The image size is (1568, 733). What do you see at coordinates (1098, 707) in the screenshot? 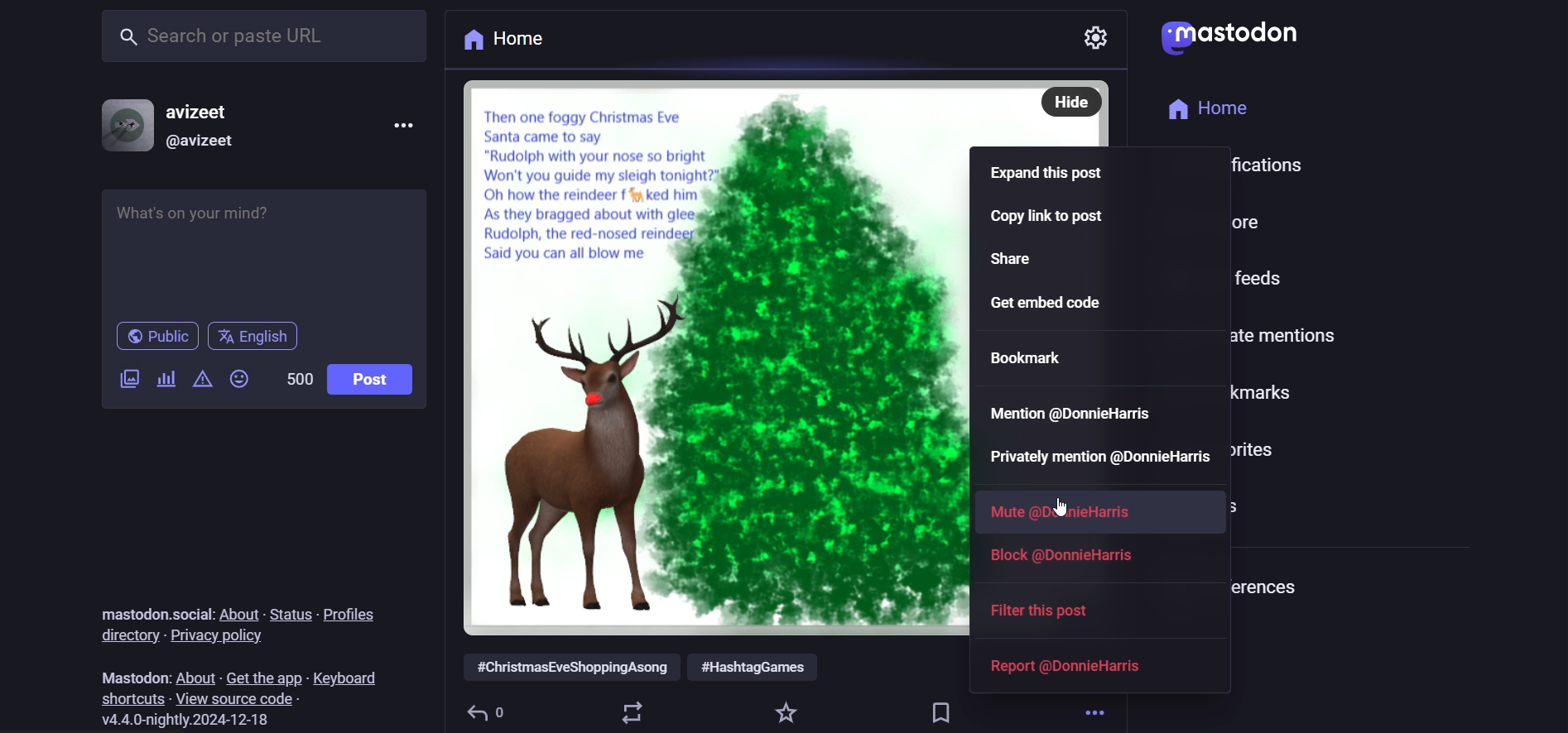
I see `more` at bounding box center [1098, 707].